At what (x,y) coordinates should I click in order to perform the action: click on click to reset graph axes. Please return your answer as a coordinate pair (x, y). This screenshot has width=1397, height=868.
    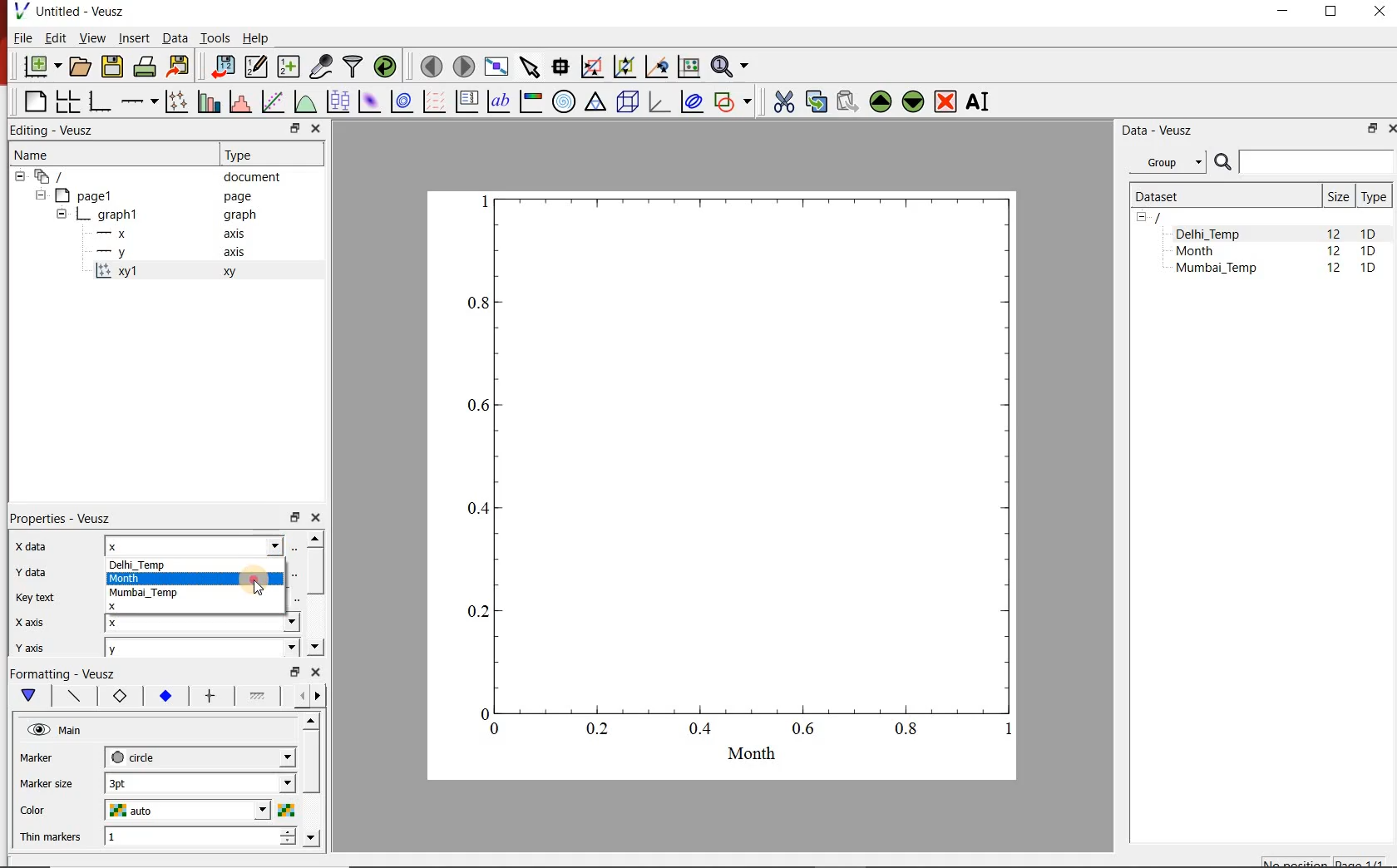
    Looking at the image, I should click on (689, 67).